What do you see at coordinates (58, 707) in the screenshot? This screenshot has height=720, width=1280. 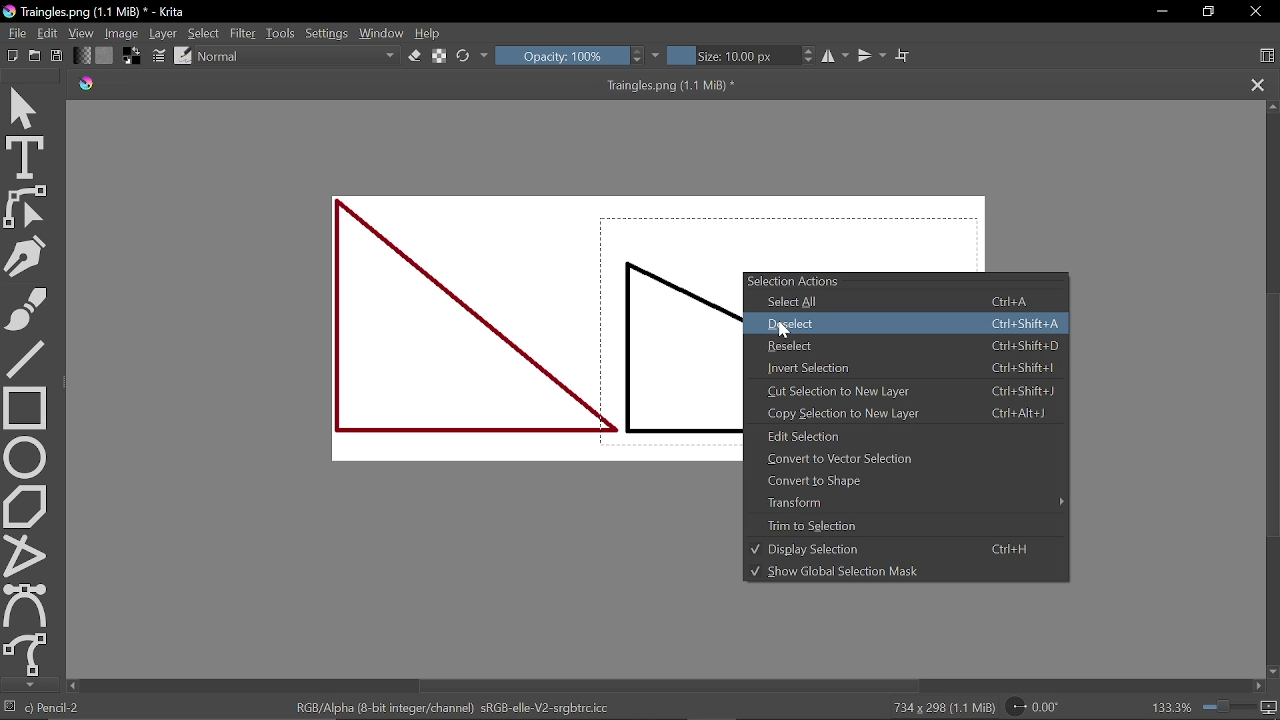 I see `Pencil-2` at bounding box center [58, 707].